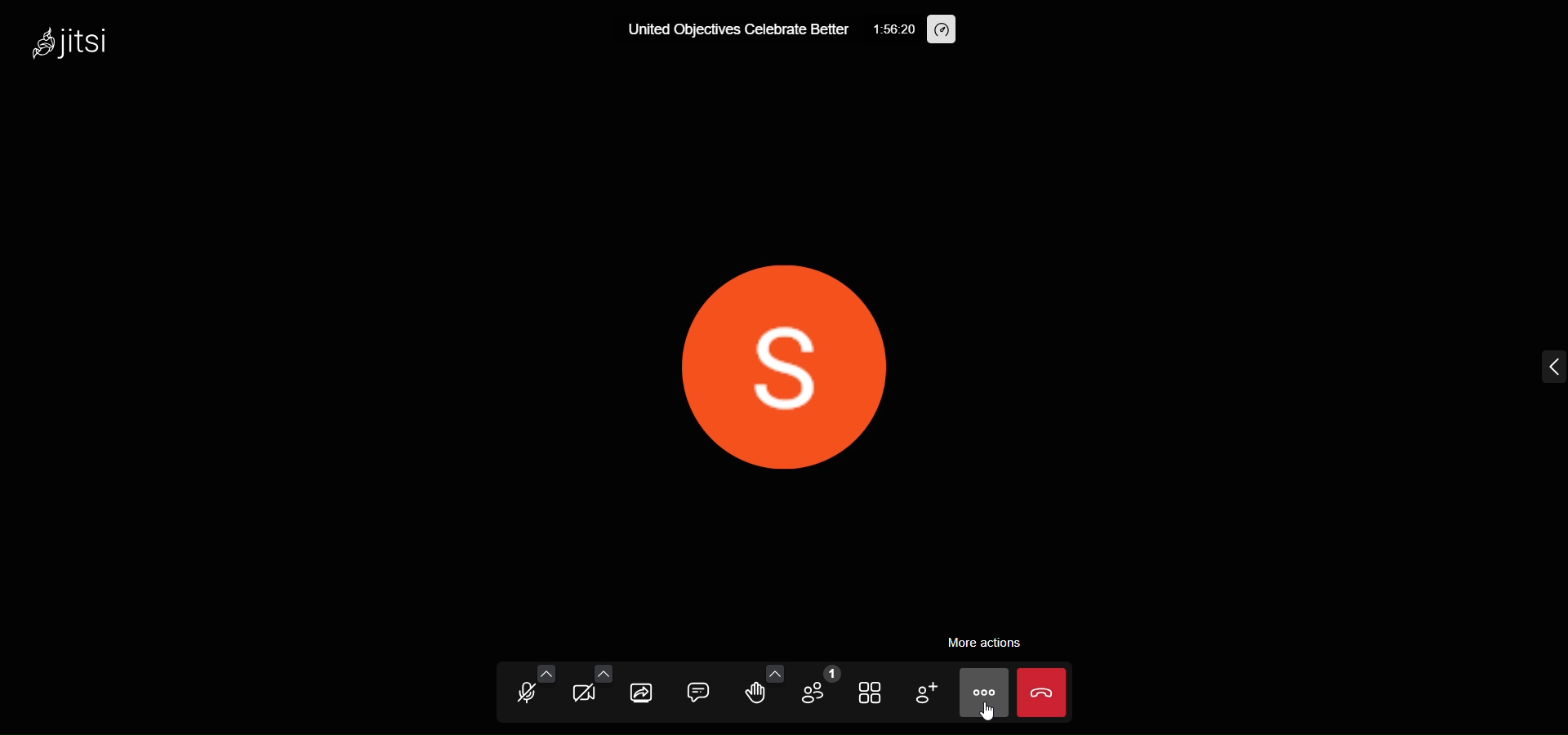 Image resolution: width=1568 pixels, height=735 pixels. What do you see at coordinates (585, 696) in the screenshot?
I see `camera` at bounding box center [585, 696].